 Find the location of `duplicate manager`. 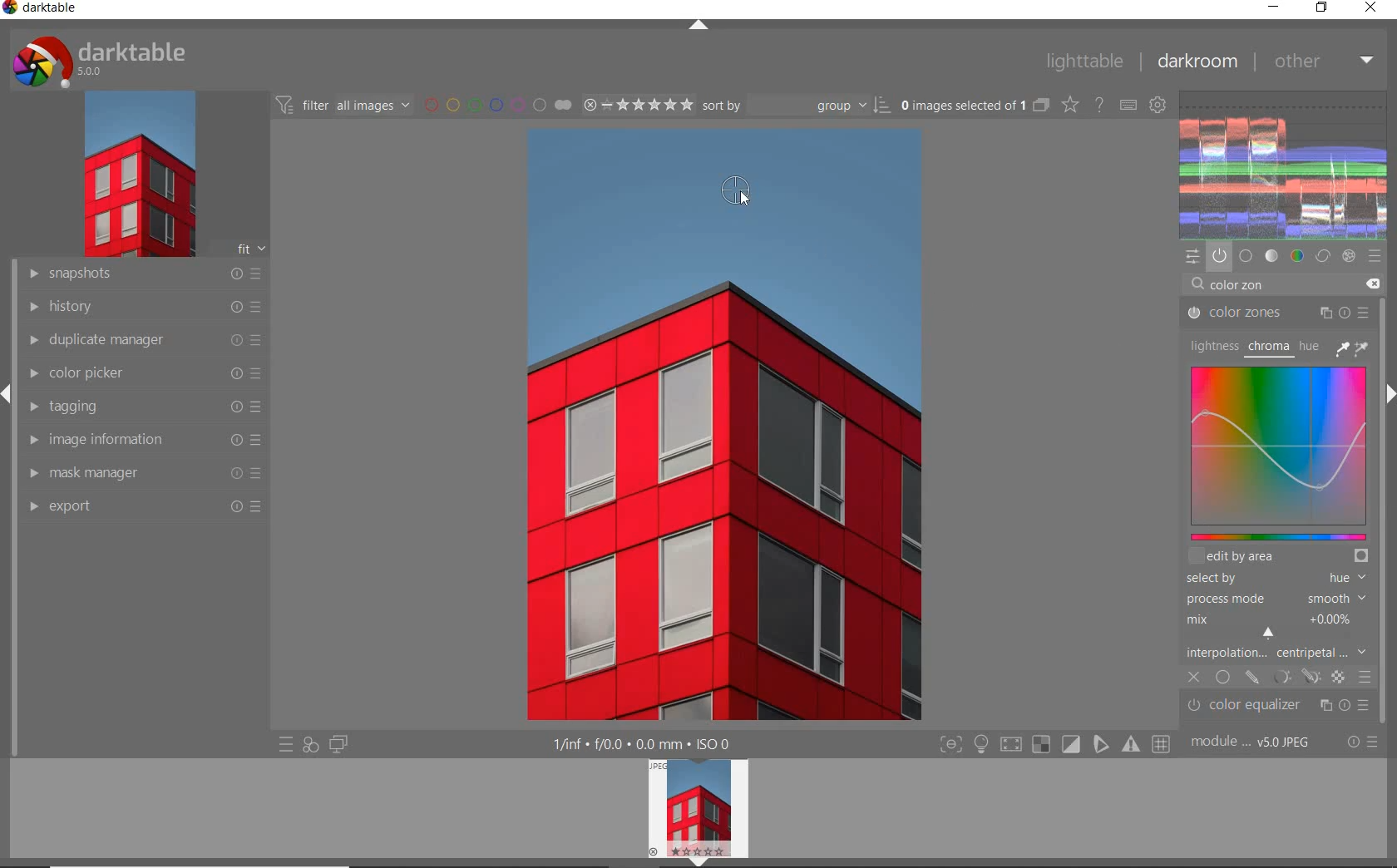

duplicate manager is located at coordinates (140, 342).